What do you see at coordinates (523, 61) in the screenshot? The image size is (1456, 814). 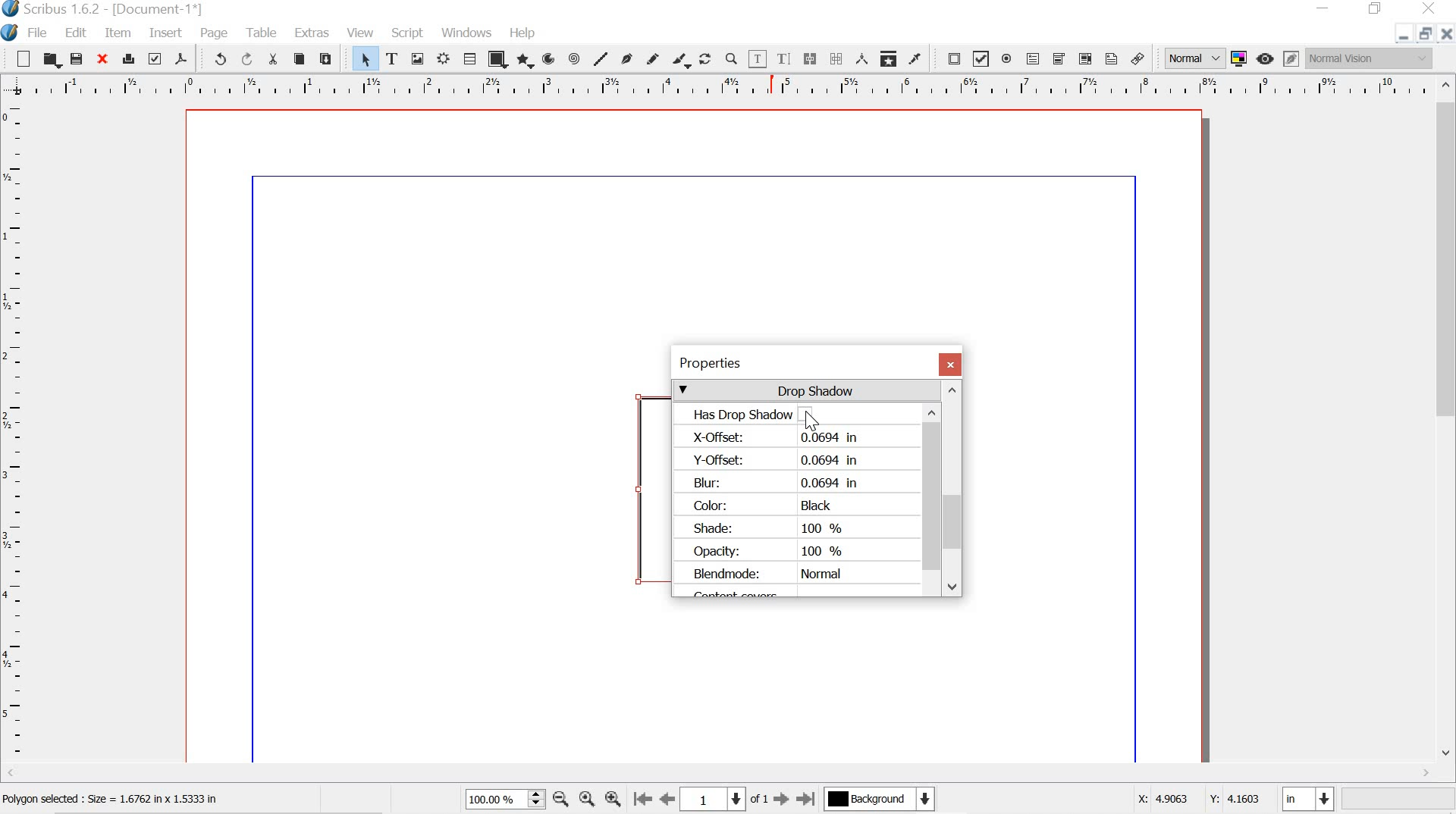 I see `polygon` at bounding box center [523, 61].